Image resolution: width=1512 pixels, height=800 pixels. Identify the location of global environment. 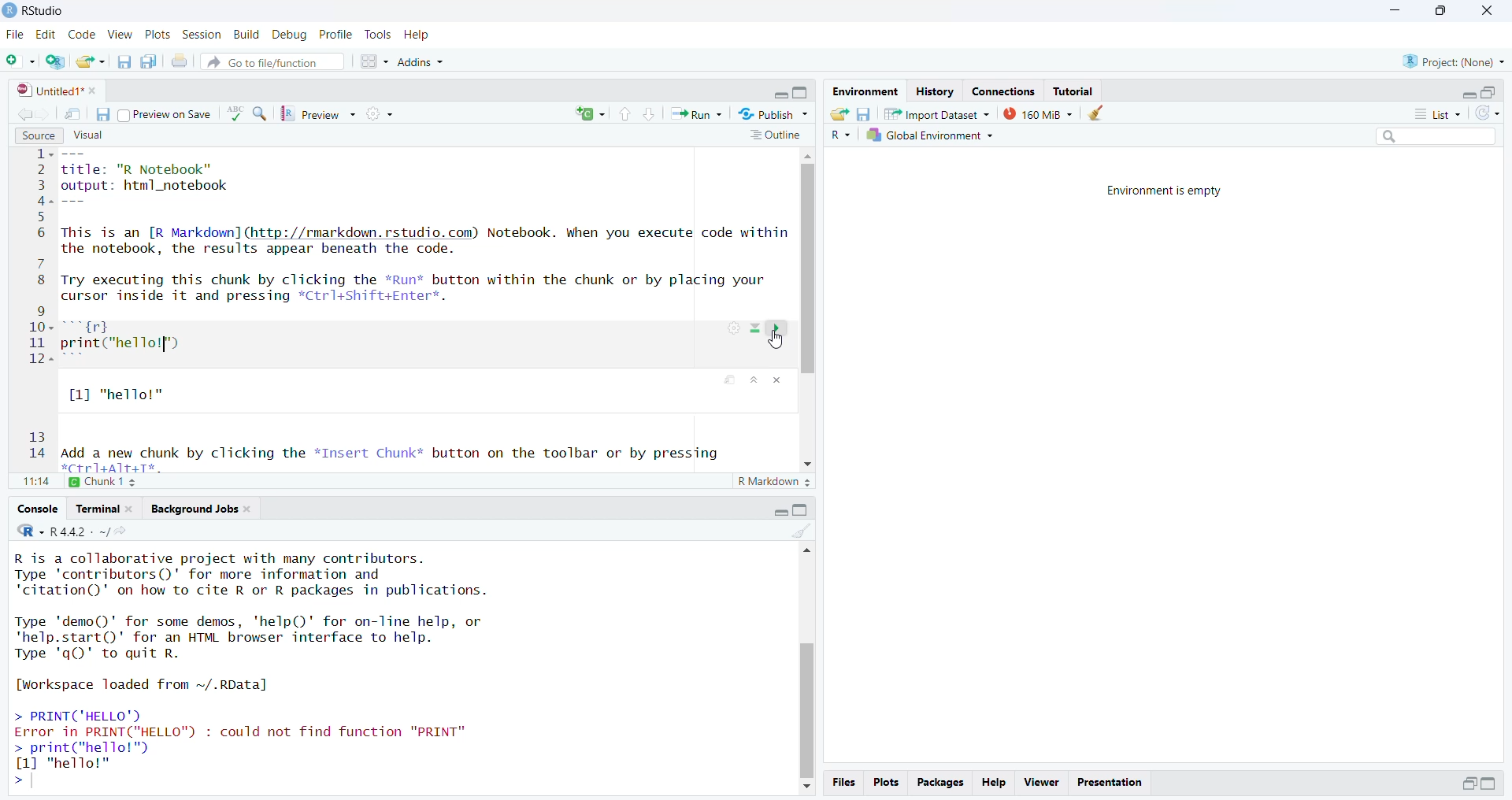
(928, 136).